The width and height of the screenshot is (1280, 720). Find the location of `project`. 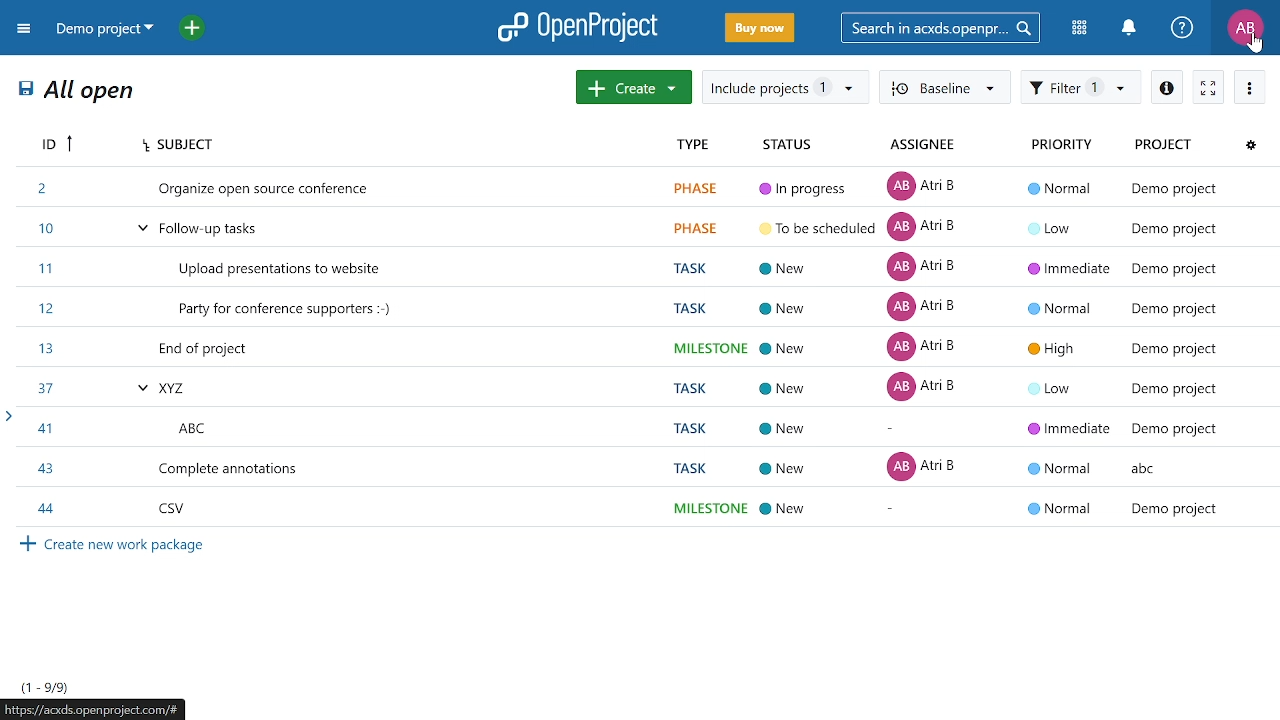

project is located at coordinates (1165, 147).